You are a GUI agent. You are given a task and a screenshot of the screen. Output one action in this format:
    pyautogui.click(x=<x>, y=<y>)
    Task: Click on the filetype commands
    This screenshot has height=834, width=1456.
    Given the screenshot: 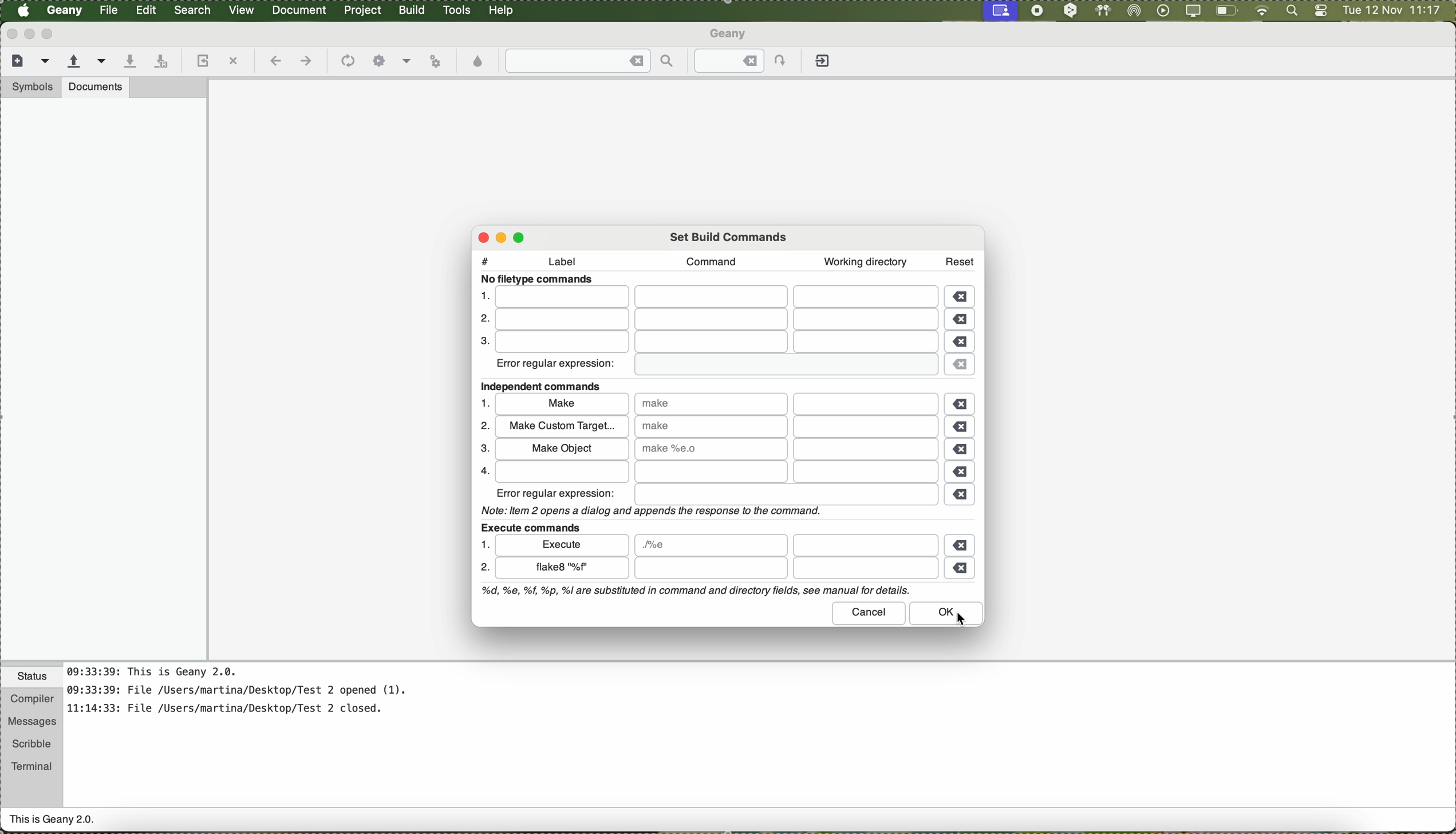 What is the action you would take?
    pyautogui.click(x=540, y=280)
    